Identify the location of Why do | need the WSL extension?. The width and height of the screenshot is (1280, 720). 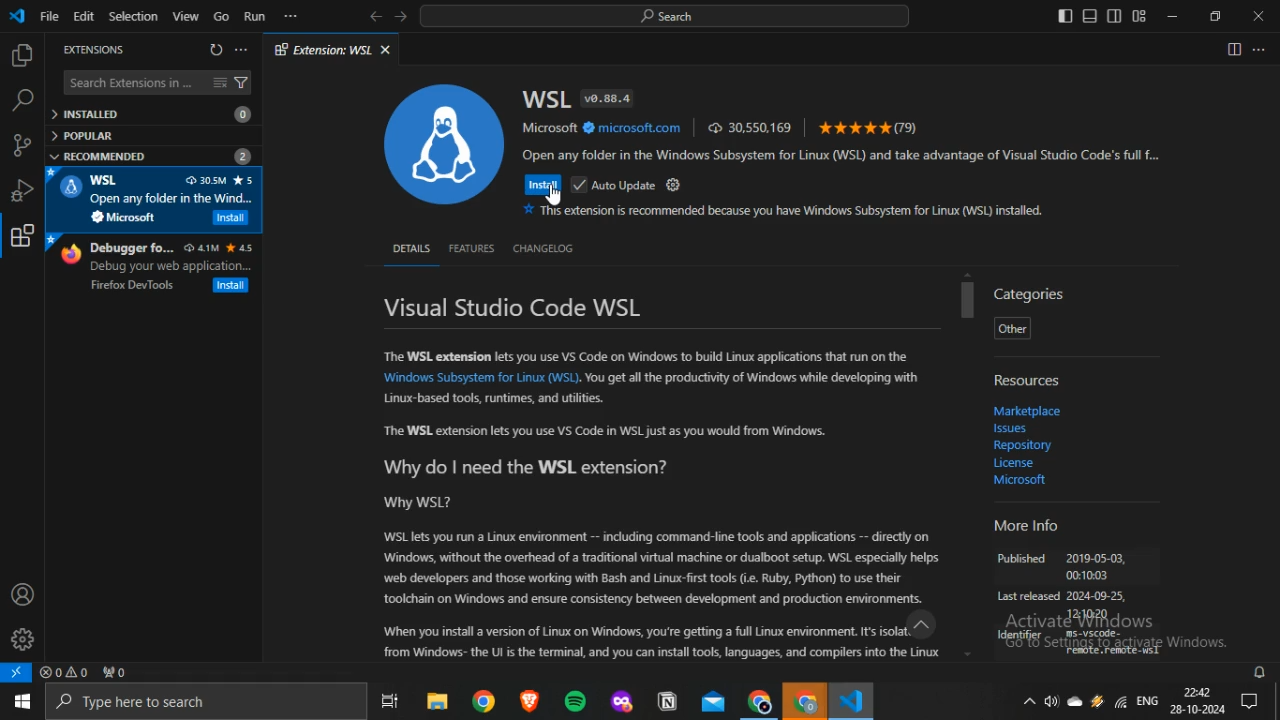
(526, 468).